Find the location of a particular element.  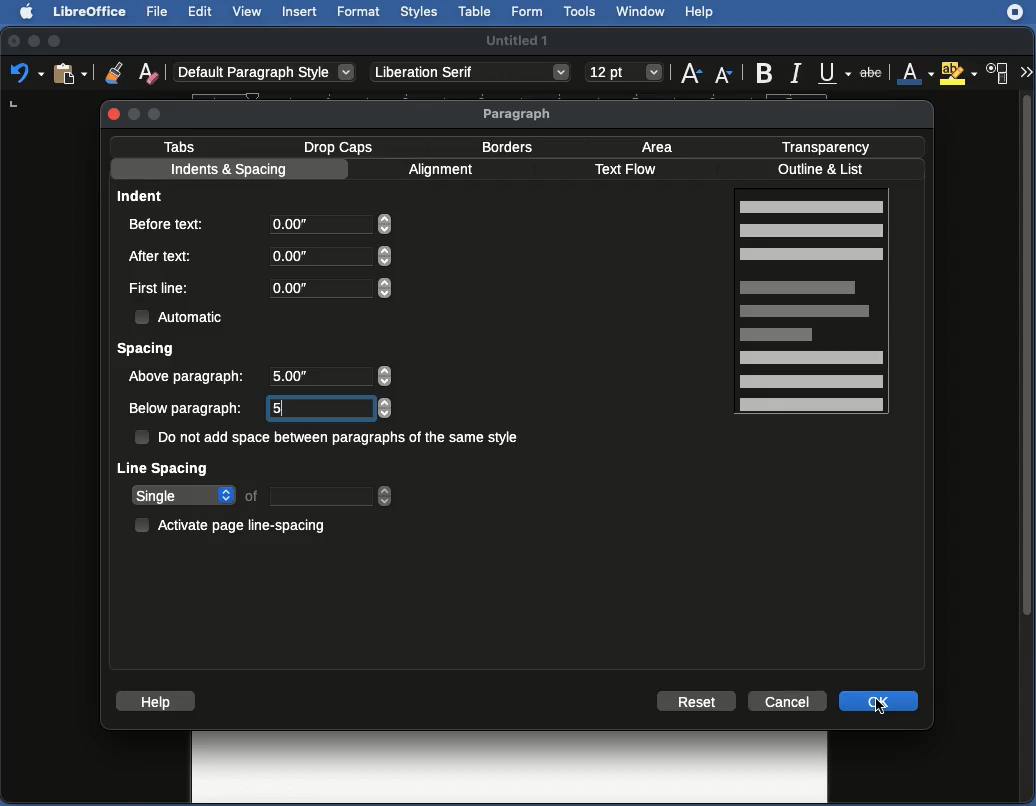

5.00" is located at coordinates (328, 375).